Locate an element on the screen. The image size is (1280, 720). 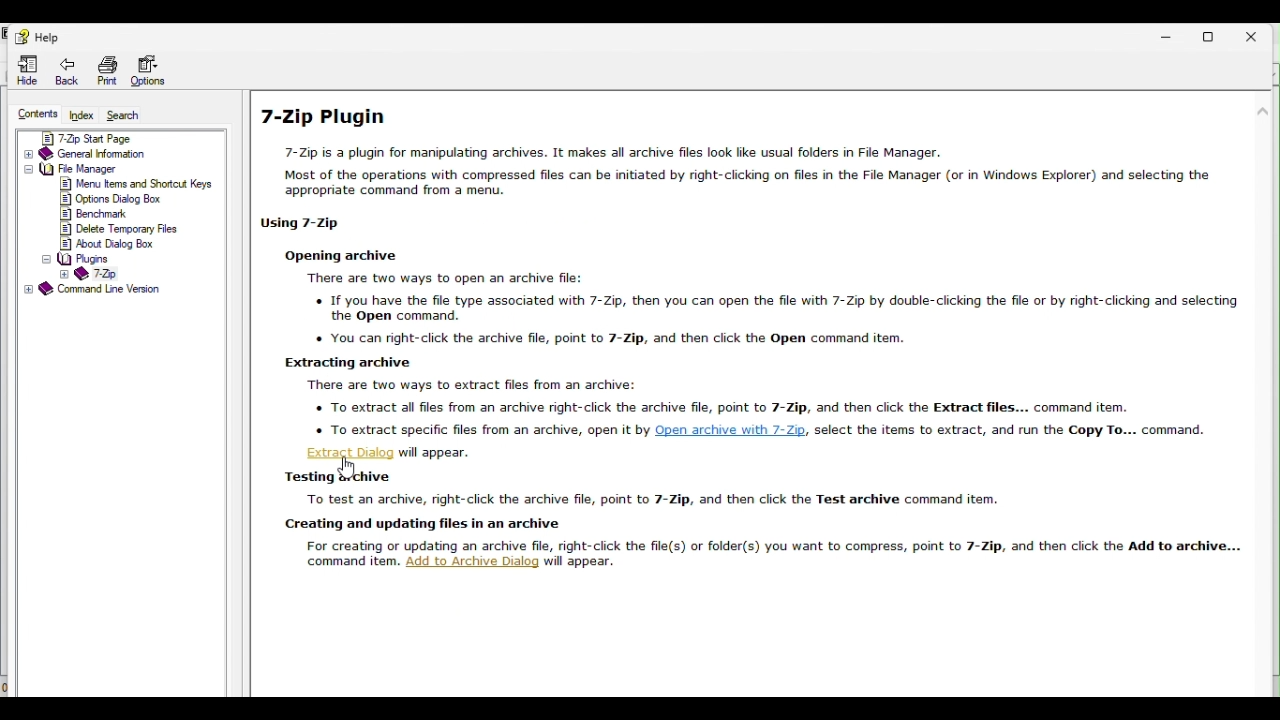
text is located at coordinates (436, 454).